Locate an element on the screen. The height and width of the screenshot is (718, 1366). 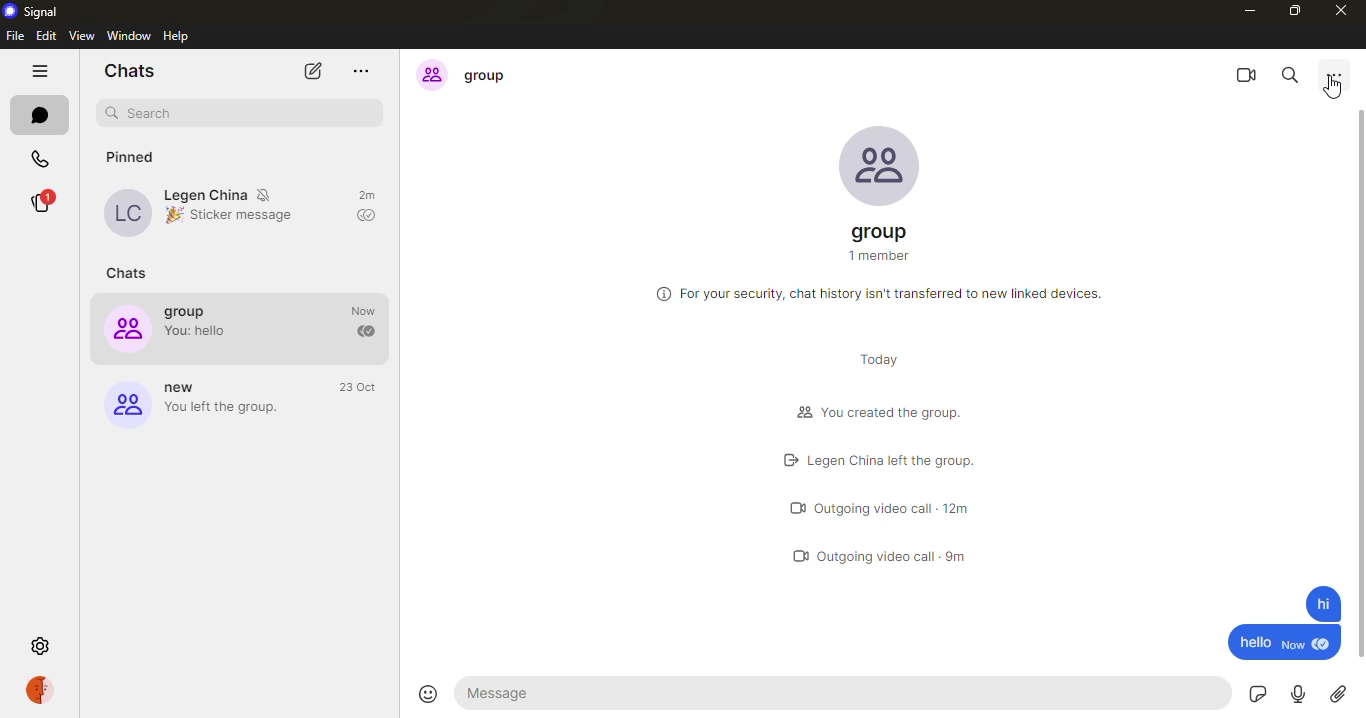
seen is located at coordinates (1328, 647).